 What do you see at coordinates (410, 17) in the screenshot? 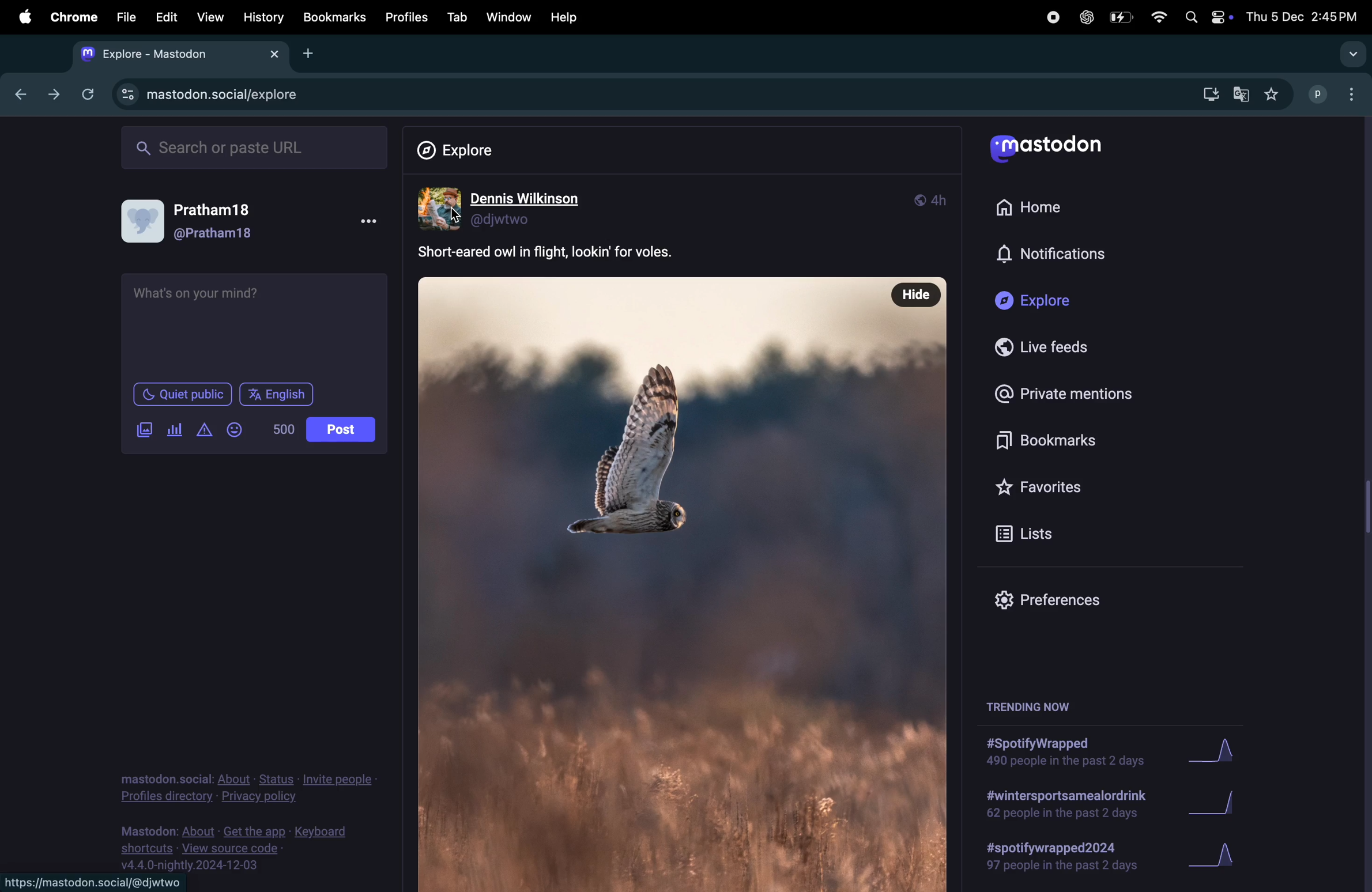
I see `profiles` at bounding box center [410, 17].